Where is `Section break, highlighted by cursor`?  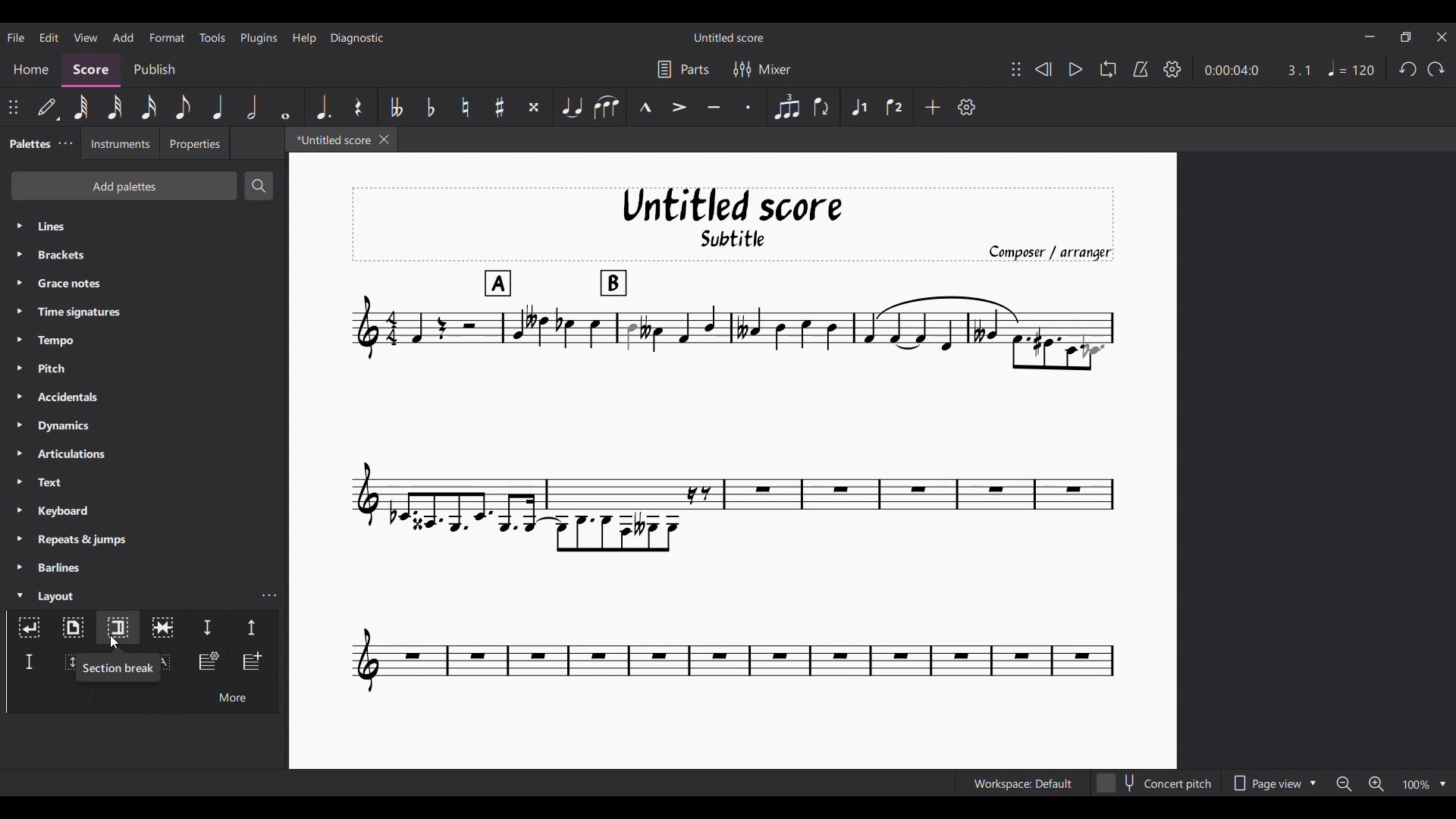 Section break, highlighted by cursor is located at coordinates (118, 627).